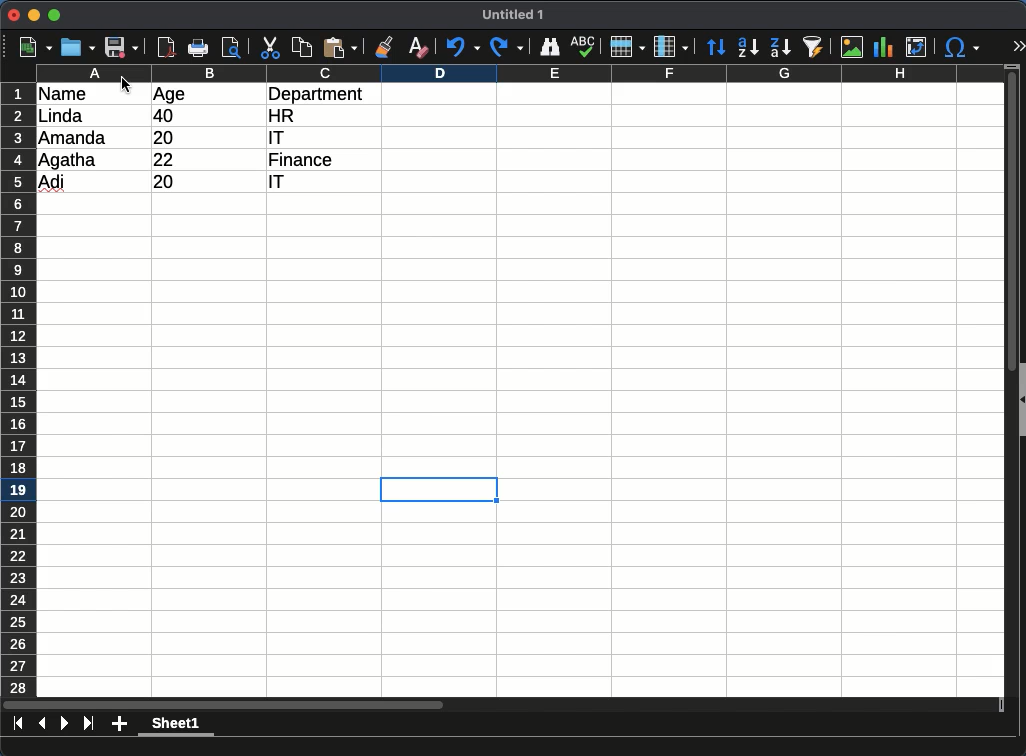 This screenshot has width=1026, height=756. I want to click on department , so click(317, 93).